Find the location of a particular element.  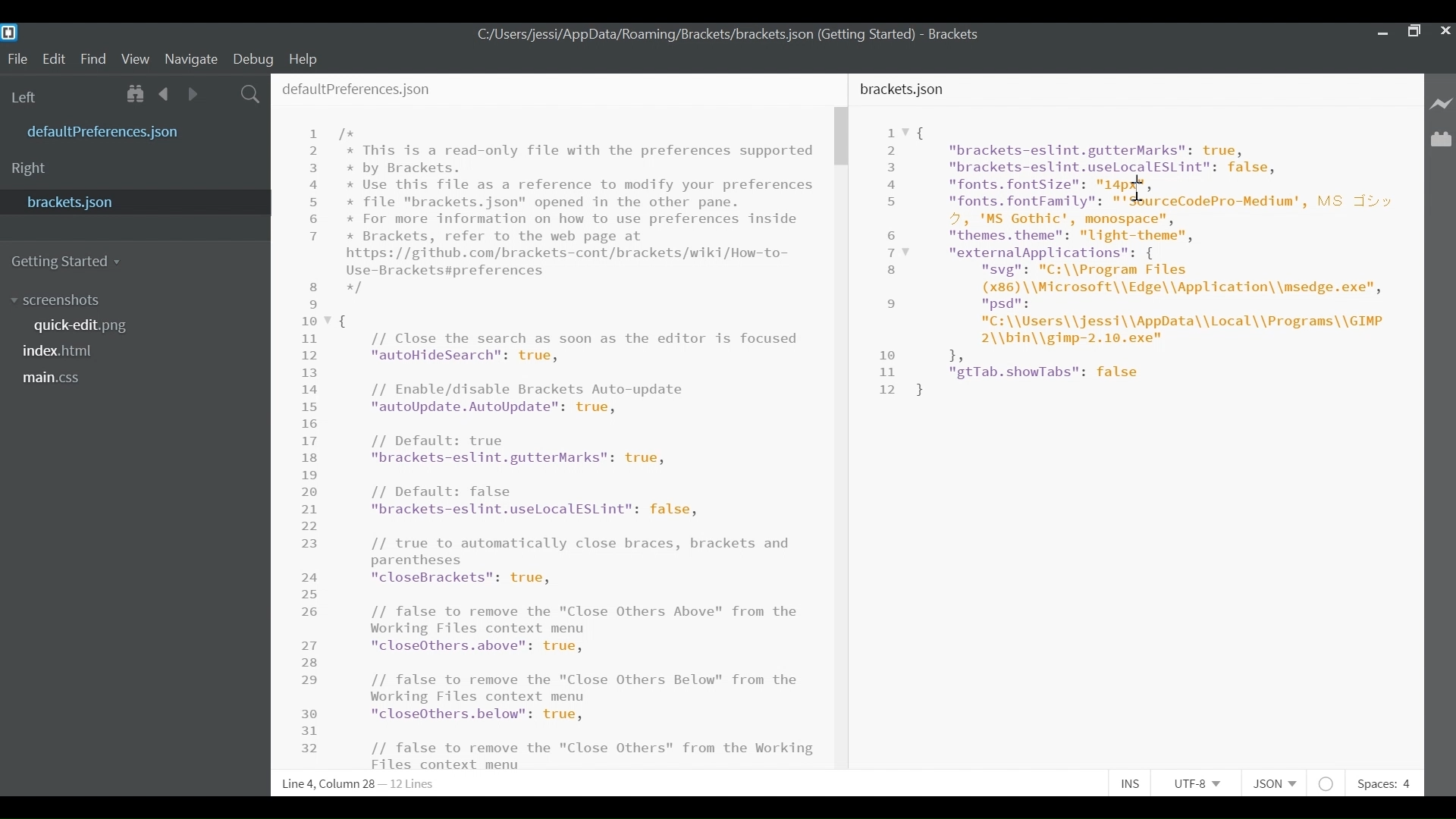

Navigate Forward is located at coordinates (190, 94).